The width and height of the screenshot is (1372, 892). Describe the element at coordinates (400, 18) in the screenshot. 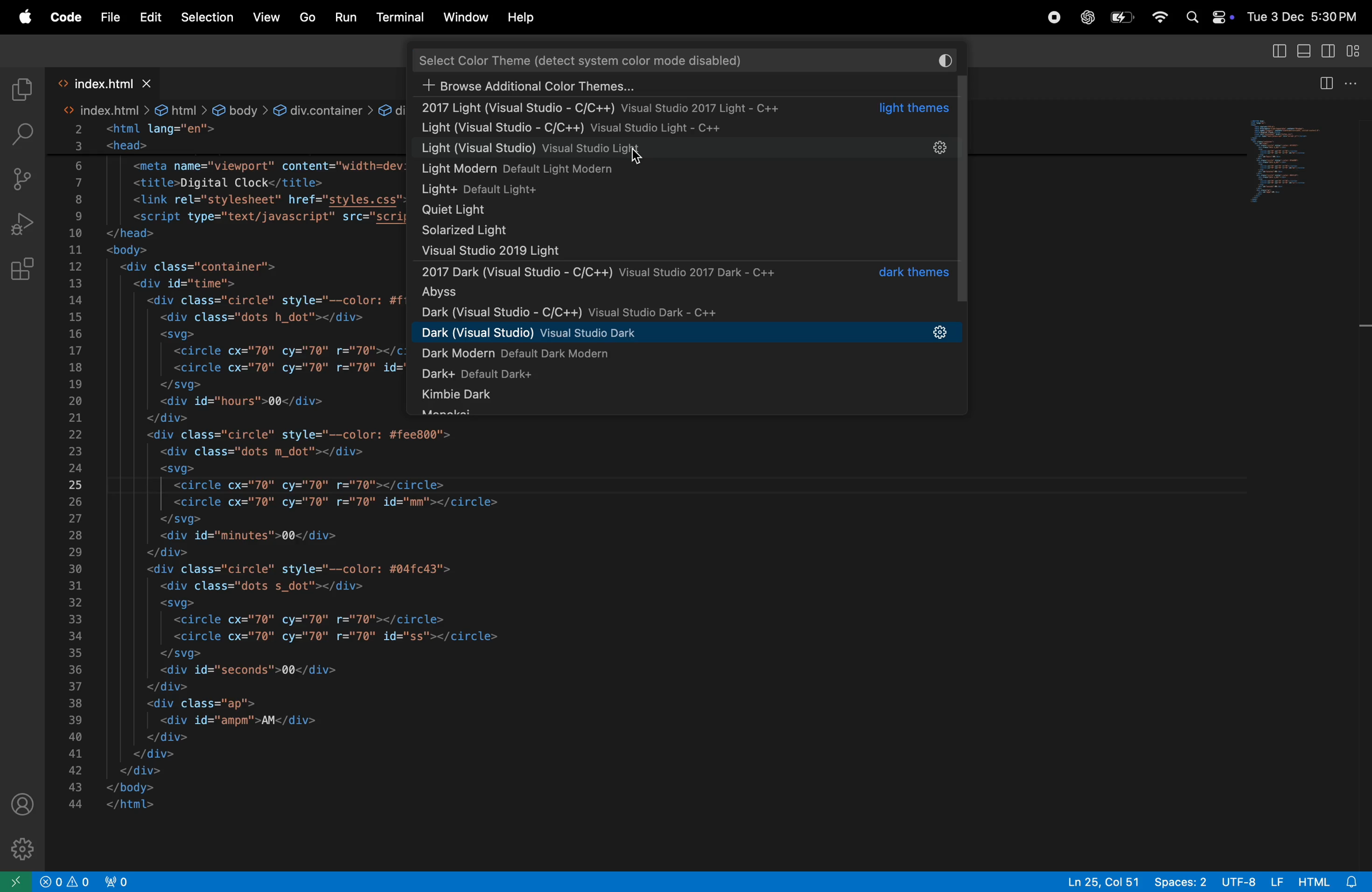

I see `terminal` at that location.